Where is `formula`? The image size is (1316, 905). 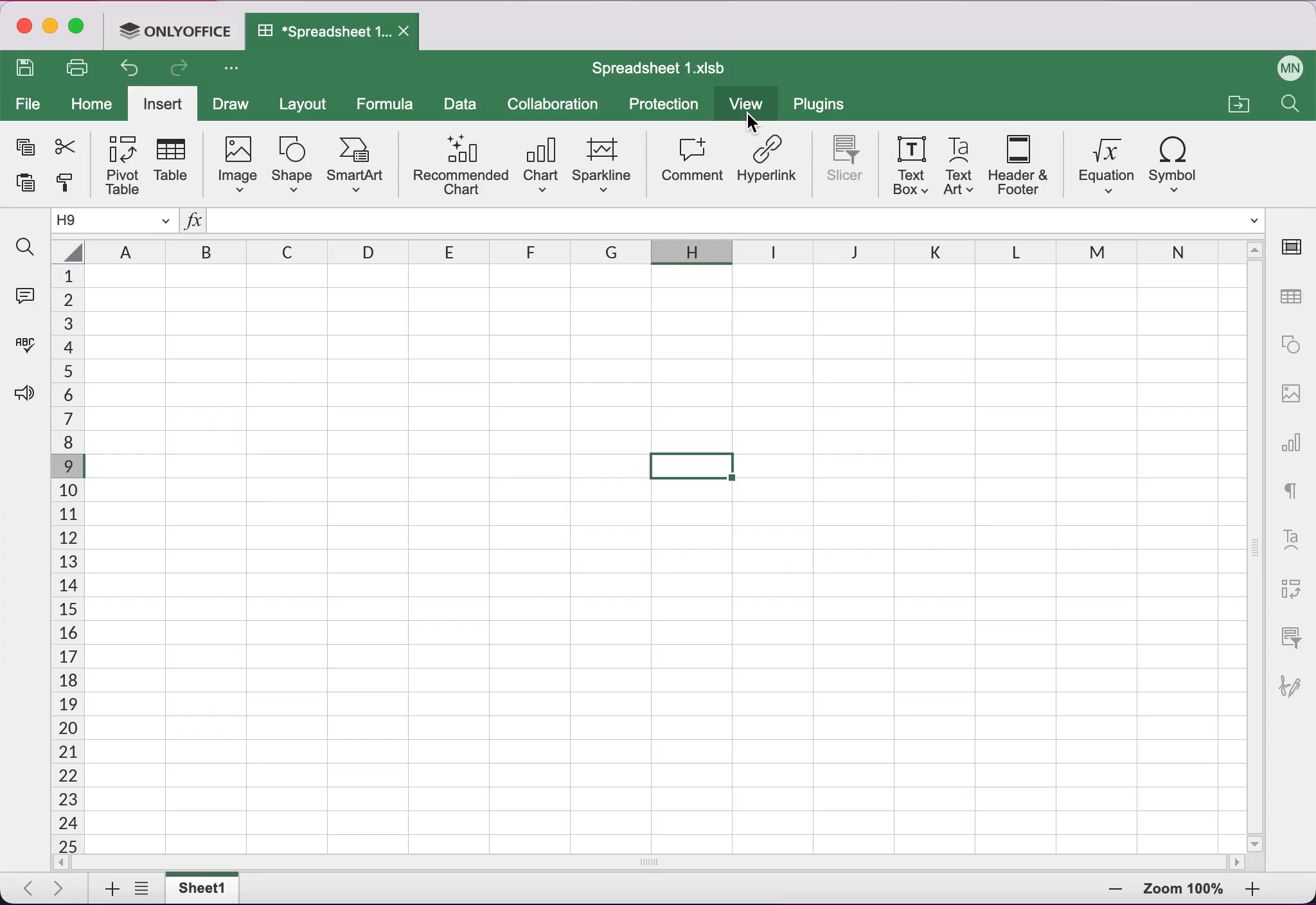 formula is located at coordinates (386, 103).